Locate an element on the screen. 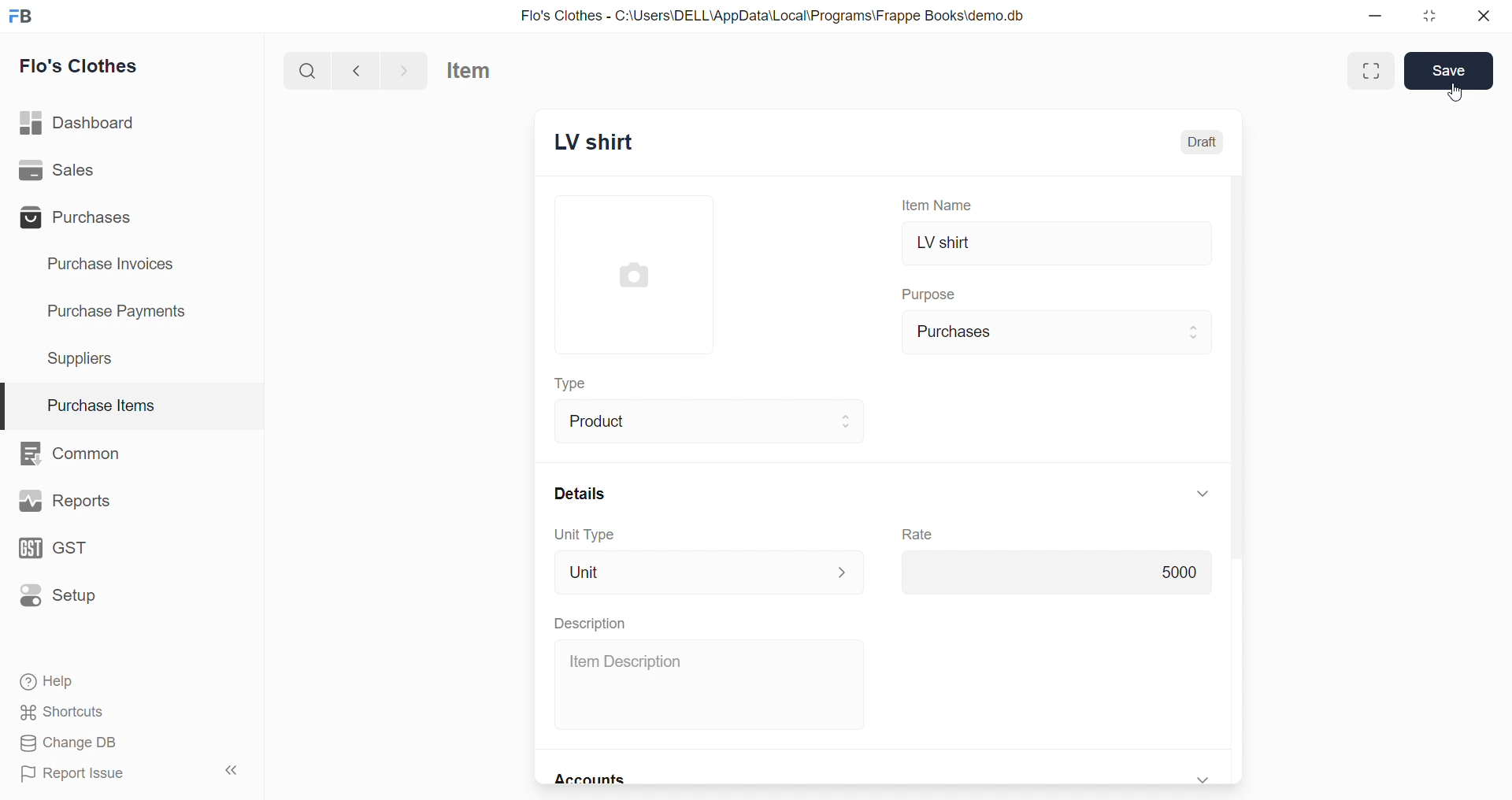 Image resolution: width=1512 pixels, height=800 pixels. search is located at coordinates (306, 69).